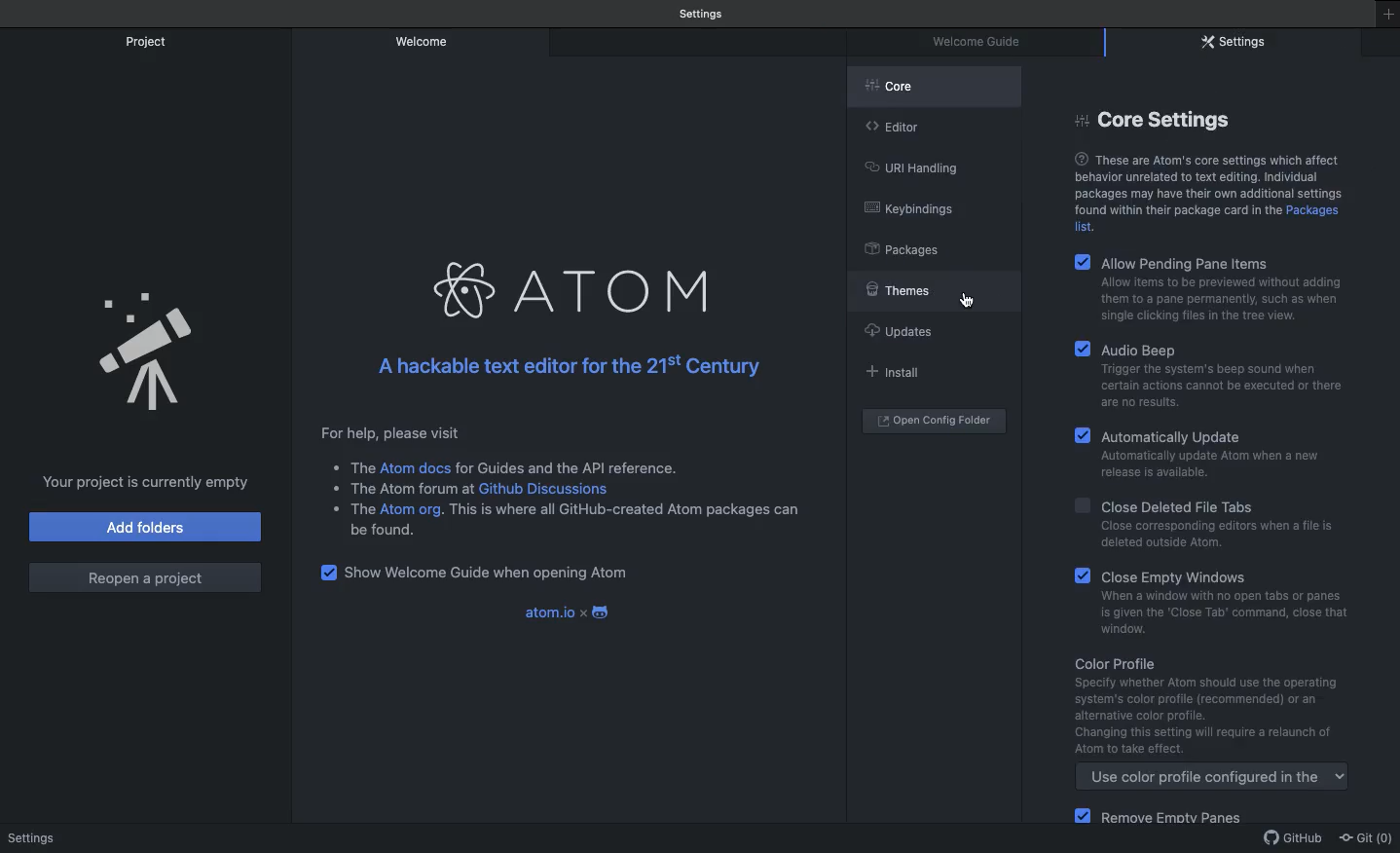  What do you see at coordinates (1199, 350) in the screenshot?
I see `Audio beep` at bounding box center [1199, 350].